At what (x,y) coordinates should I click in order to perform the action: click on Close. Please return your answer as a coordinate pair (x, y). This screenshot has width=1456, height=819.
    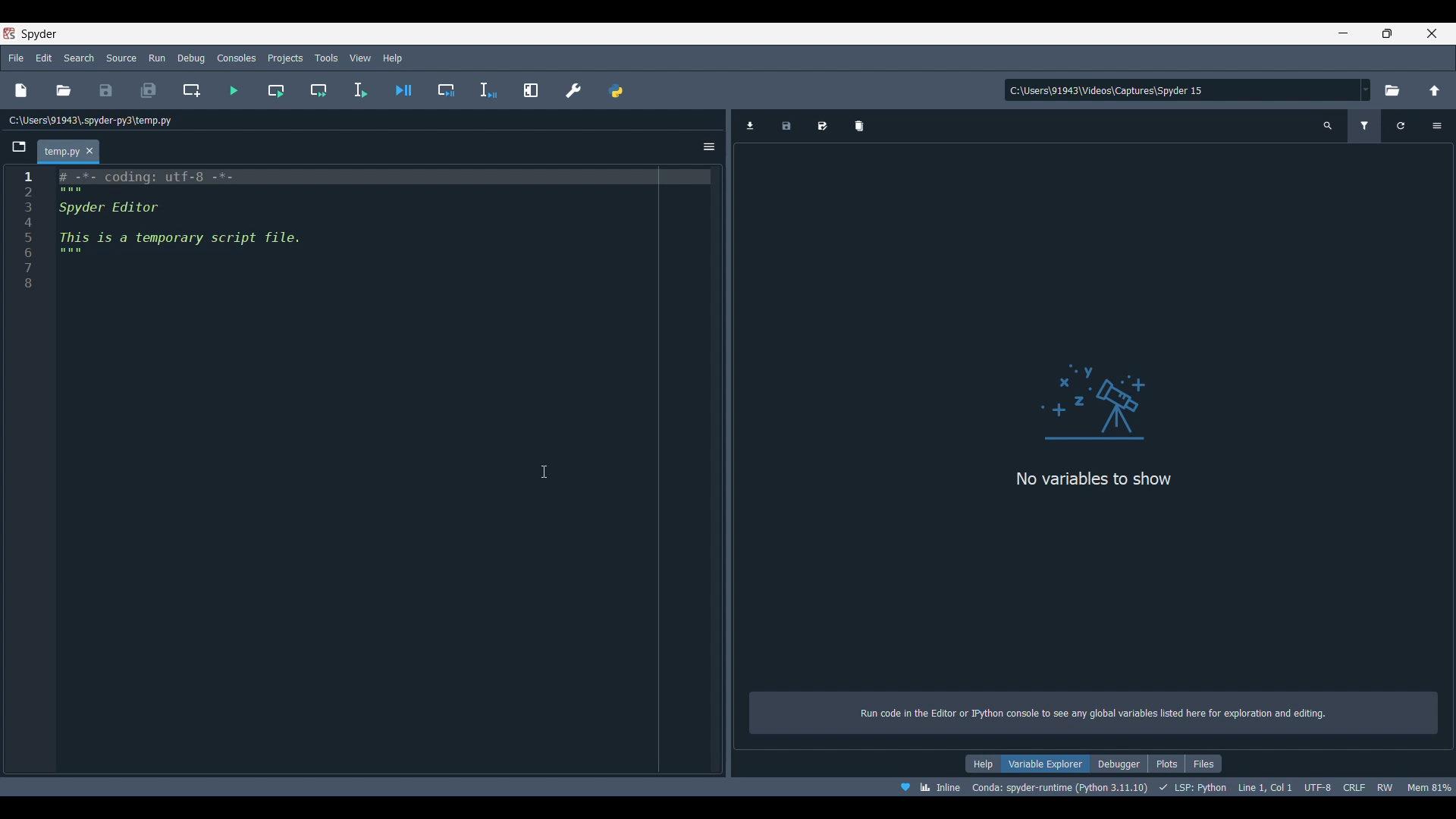
    Looking at the image, I should click on (1432, 33).